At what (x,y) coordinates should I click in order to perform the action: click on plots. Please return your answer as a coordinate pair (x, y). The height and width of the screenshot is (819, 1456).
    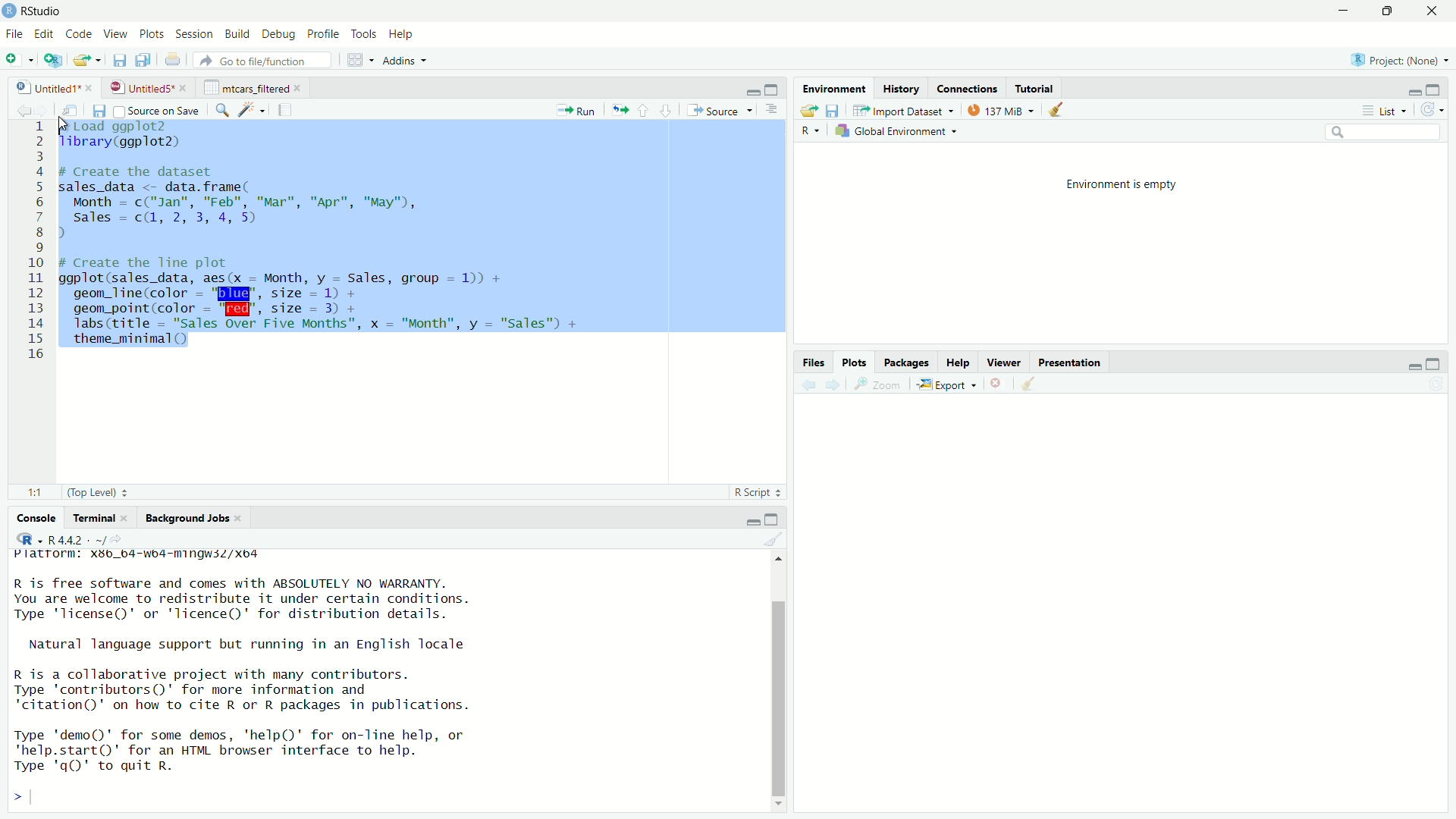
    Looking at the image, I should click on (856, 362).